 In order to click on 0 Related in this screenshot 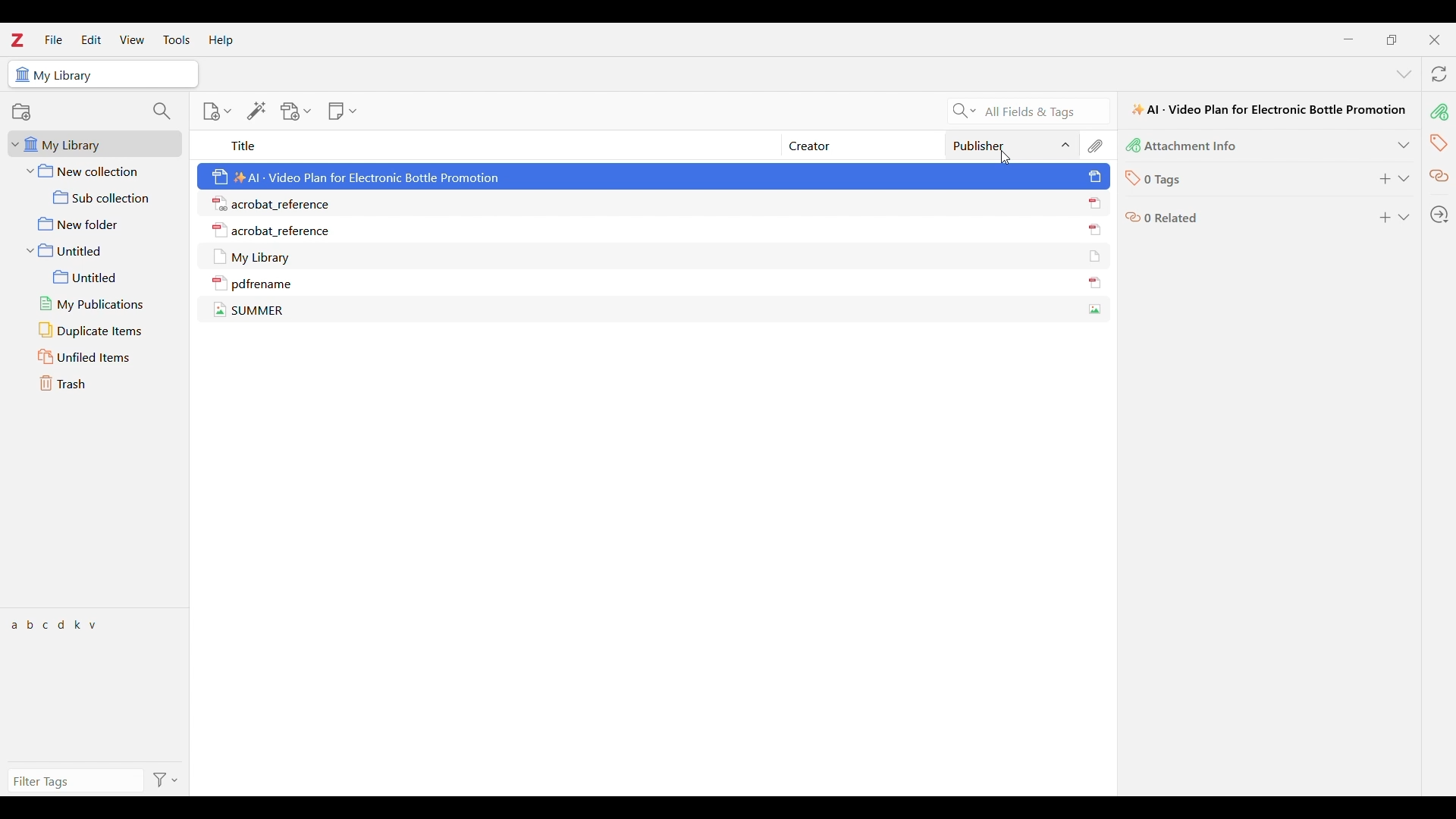, I will do `click(1172, 218)`.